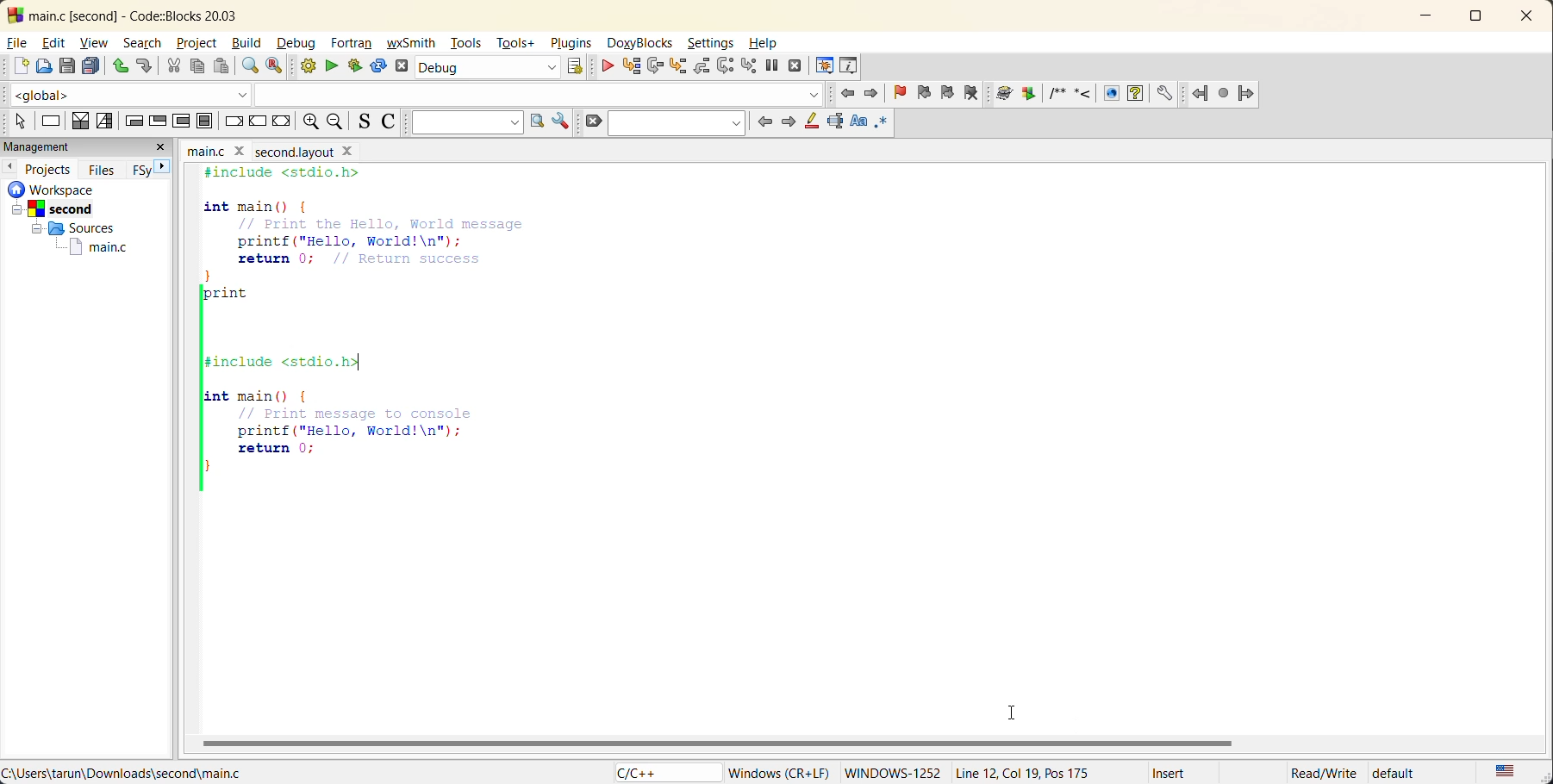 The image size is (1553, 784). Describe the element at coordinates (47, 170) in the screenshot. I see `projects` at that location.